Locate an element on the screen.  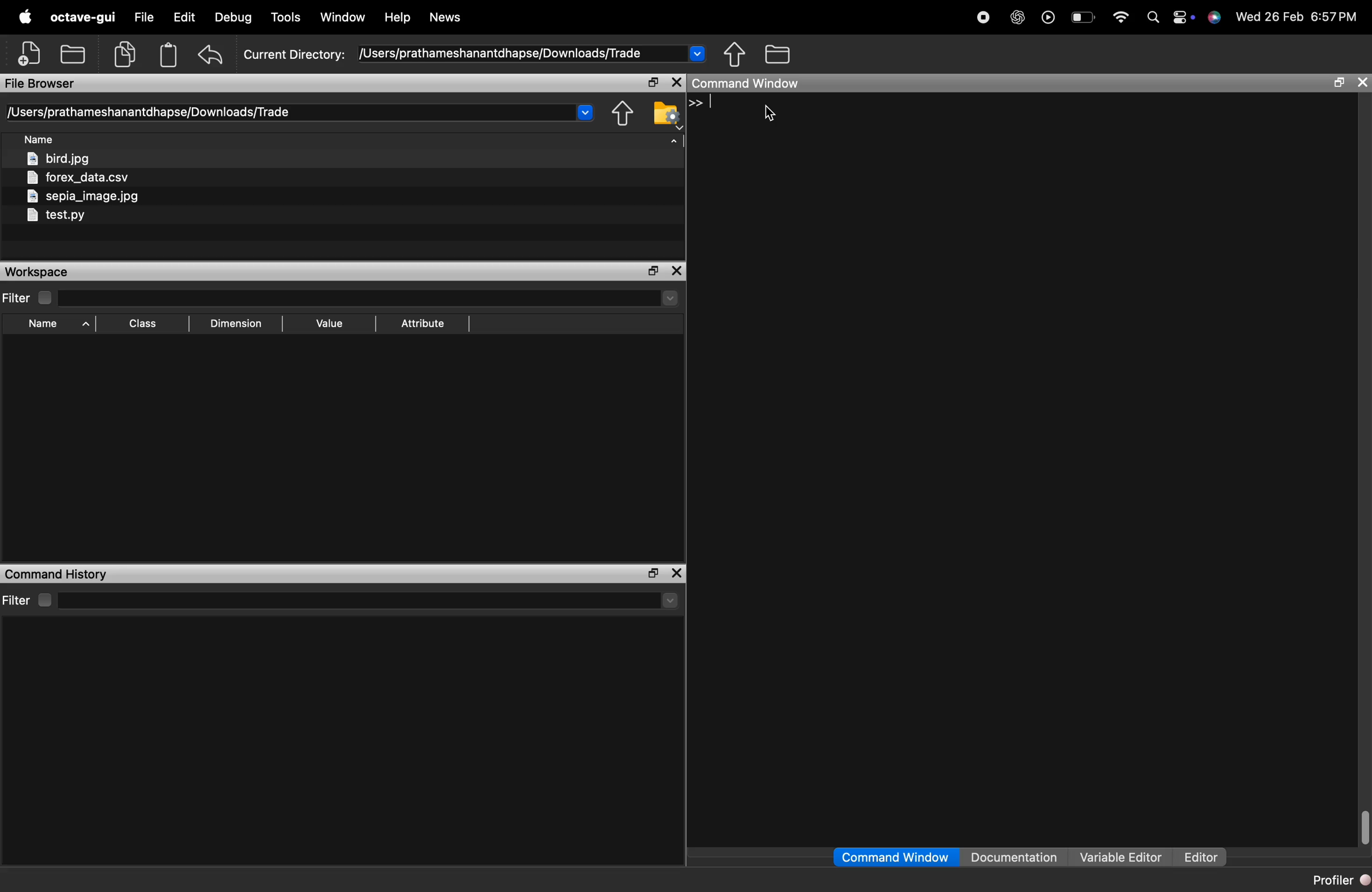
apple  is located at coordinates (25, 17).